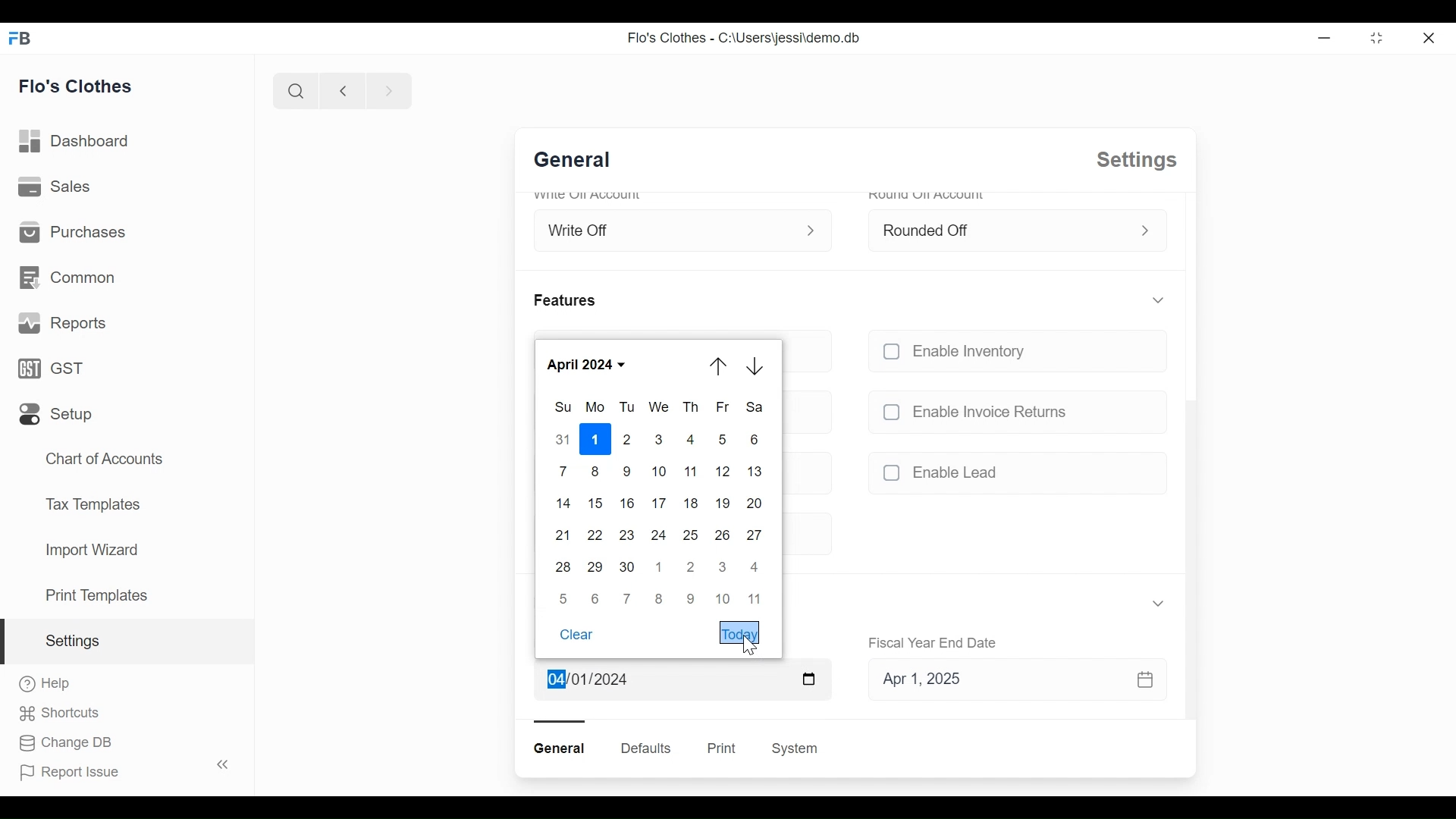 Image resolution: width=1456 pixels, height=819 pixels. I want to click on 8, so click(660, 598).